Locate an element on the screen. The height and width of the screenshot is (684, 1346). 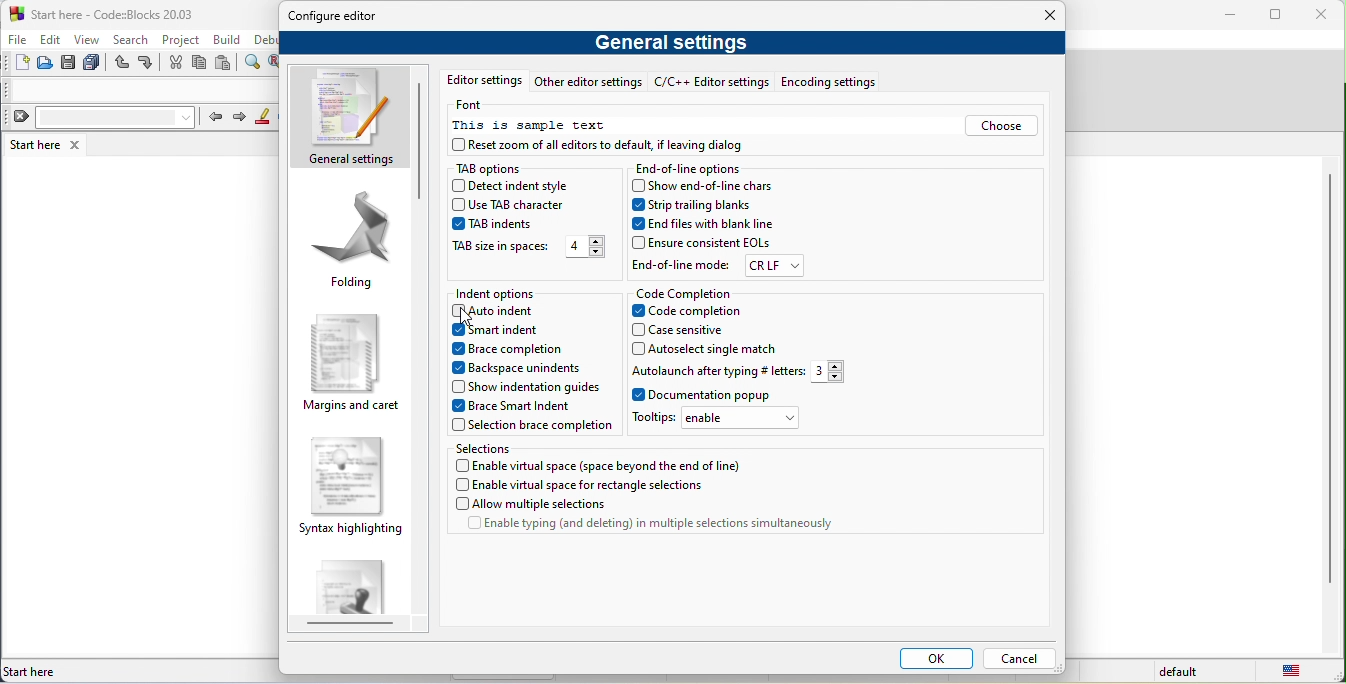
general settings is located at coordinates (673, 43).